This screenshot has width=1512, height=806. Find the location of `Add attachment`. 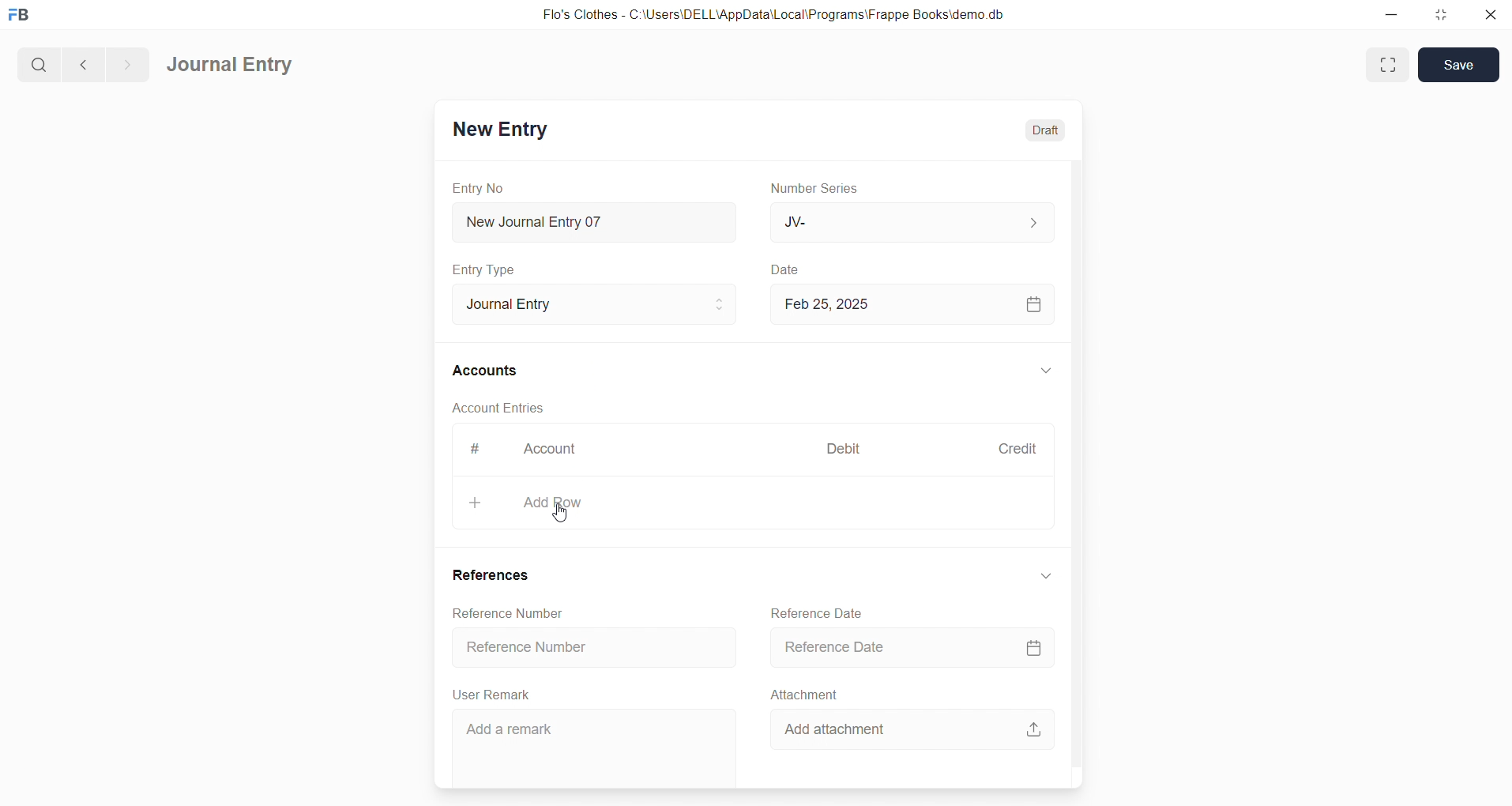

Add attachment is located at coordinates (911, 729).